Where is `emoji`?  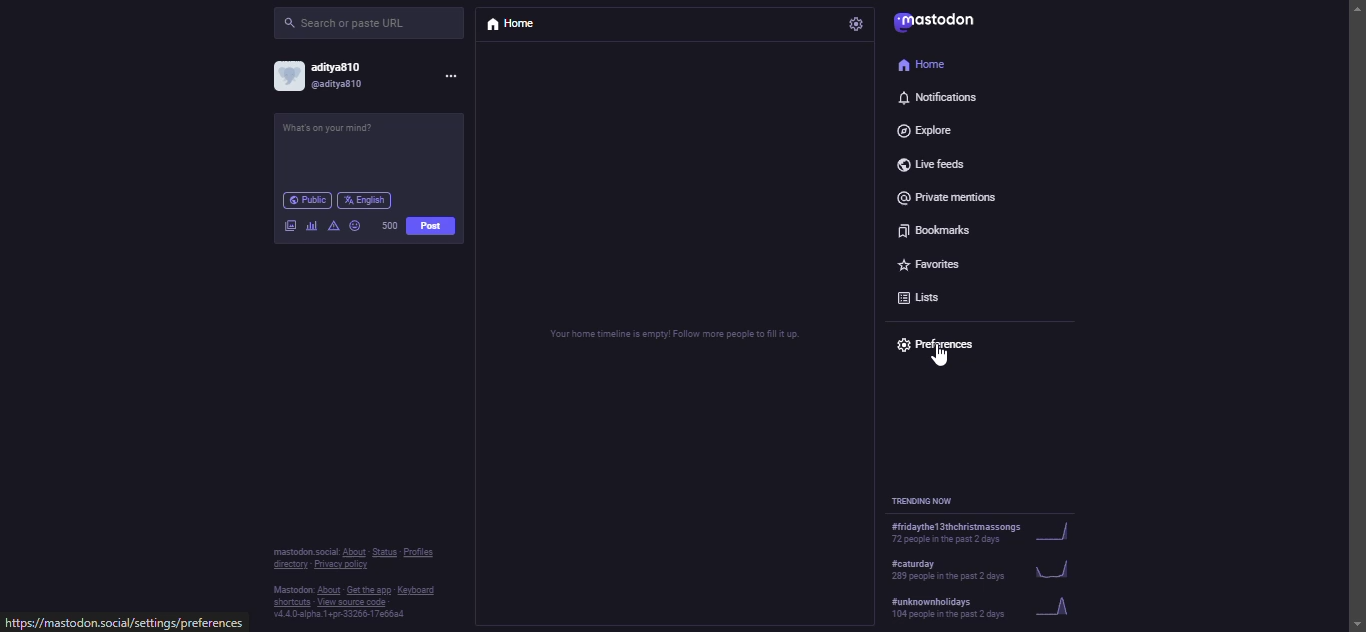 emoji is located at coordinates (354, 224).